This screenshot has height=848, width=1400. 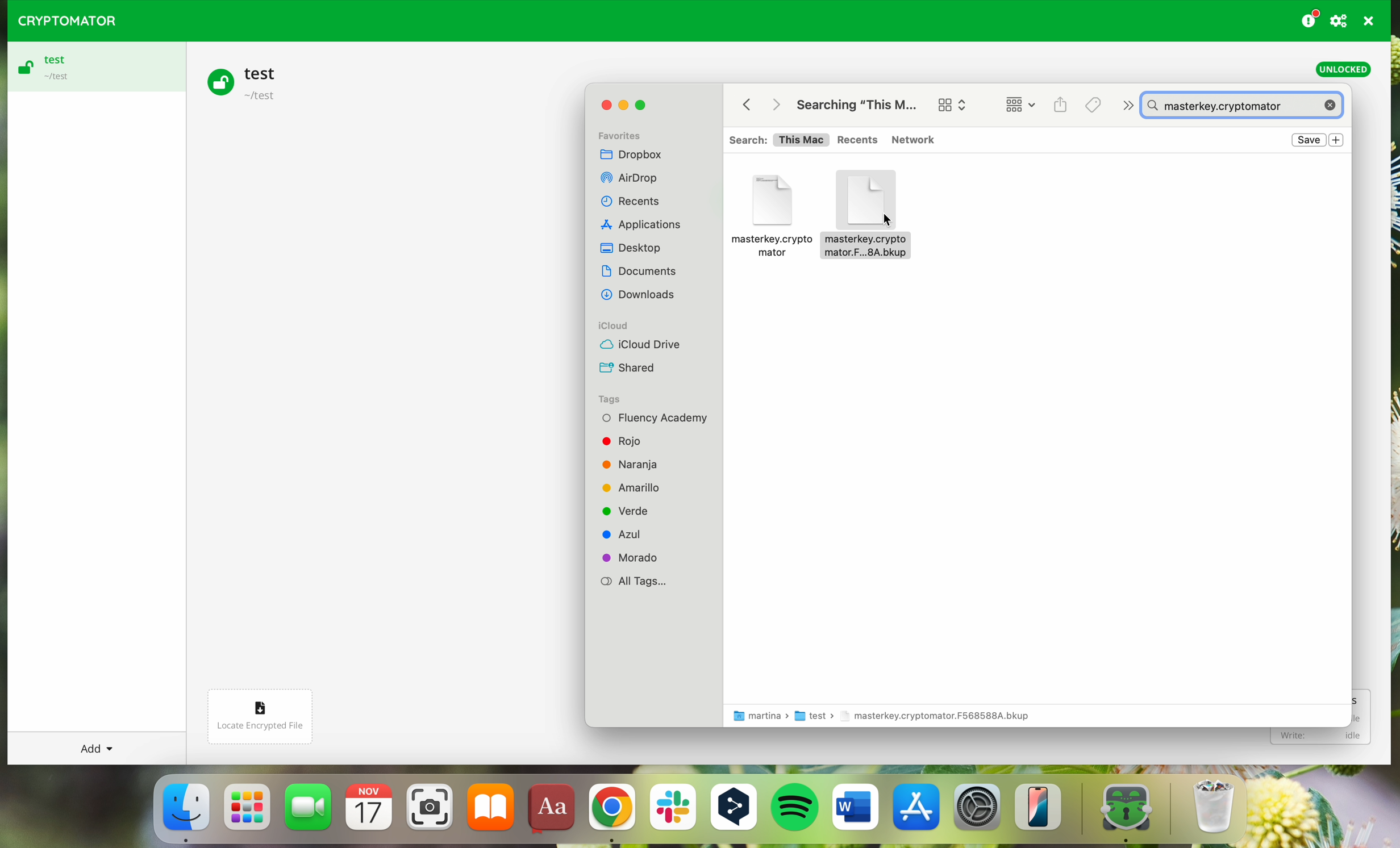 What do you see at coordinates (860, 101) in the screenshot?
I see `search for` at bounding box center [860, 101].